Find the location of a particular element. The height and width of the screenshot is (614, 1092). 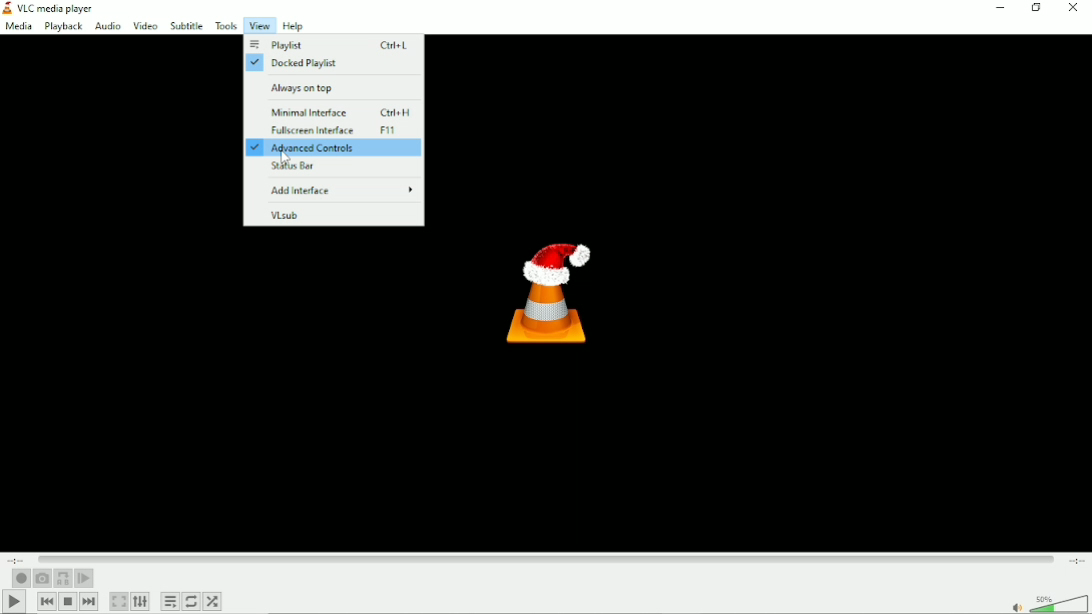

Minimize is located at coordinates (1001, 8).